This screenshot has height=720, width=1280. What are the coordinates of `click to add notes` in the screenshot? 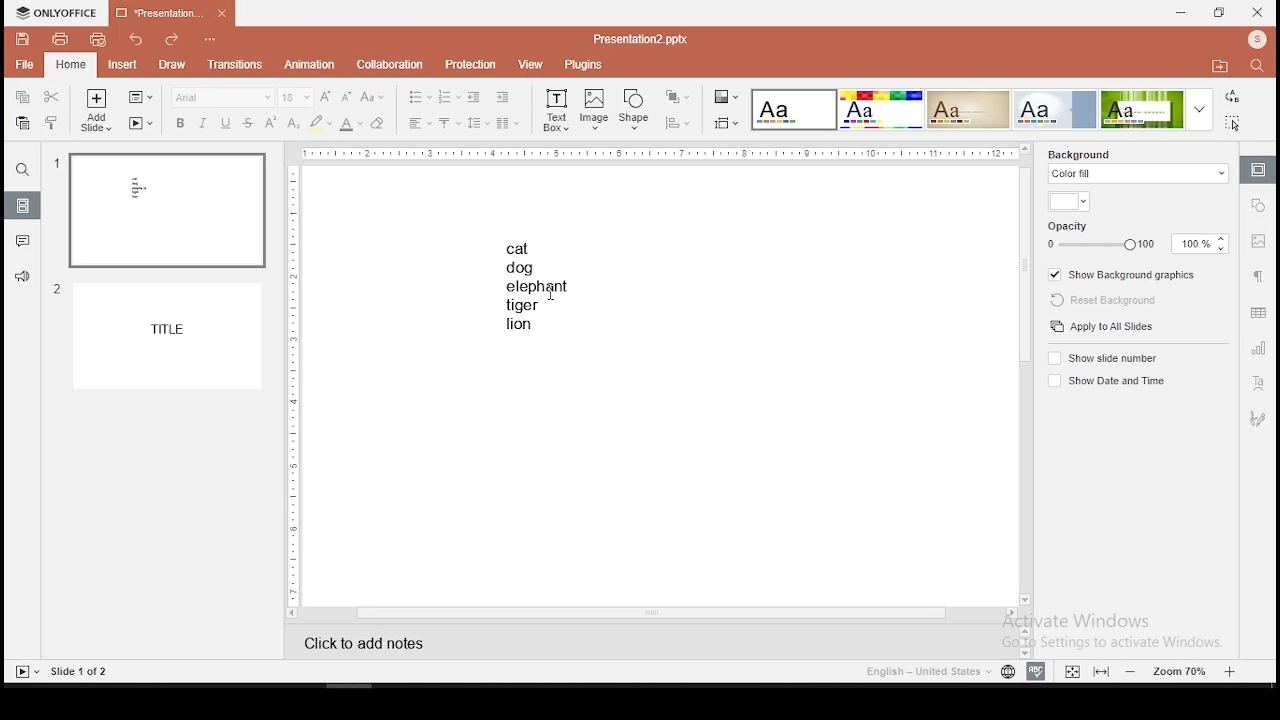 It's located at (377, 640).